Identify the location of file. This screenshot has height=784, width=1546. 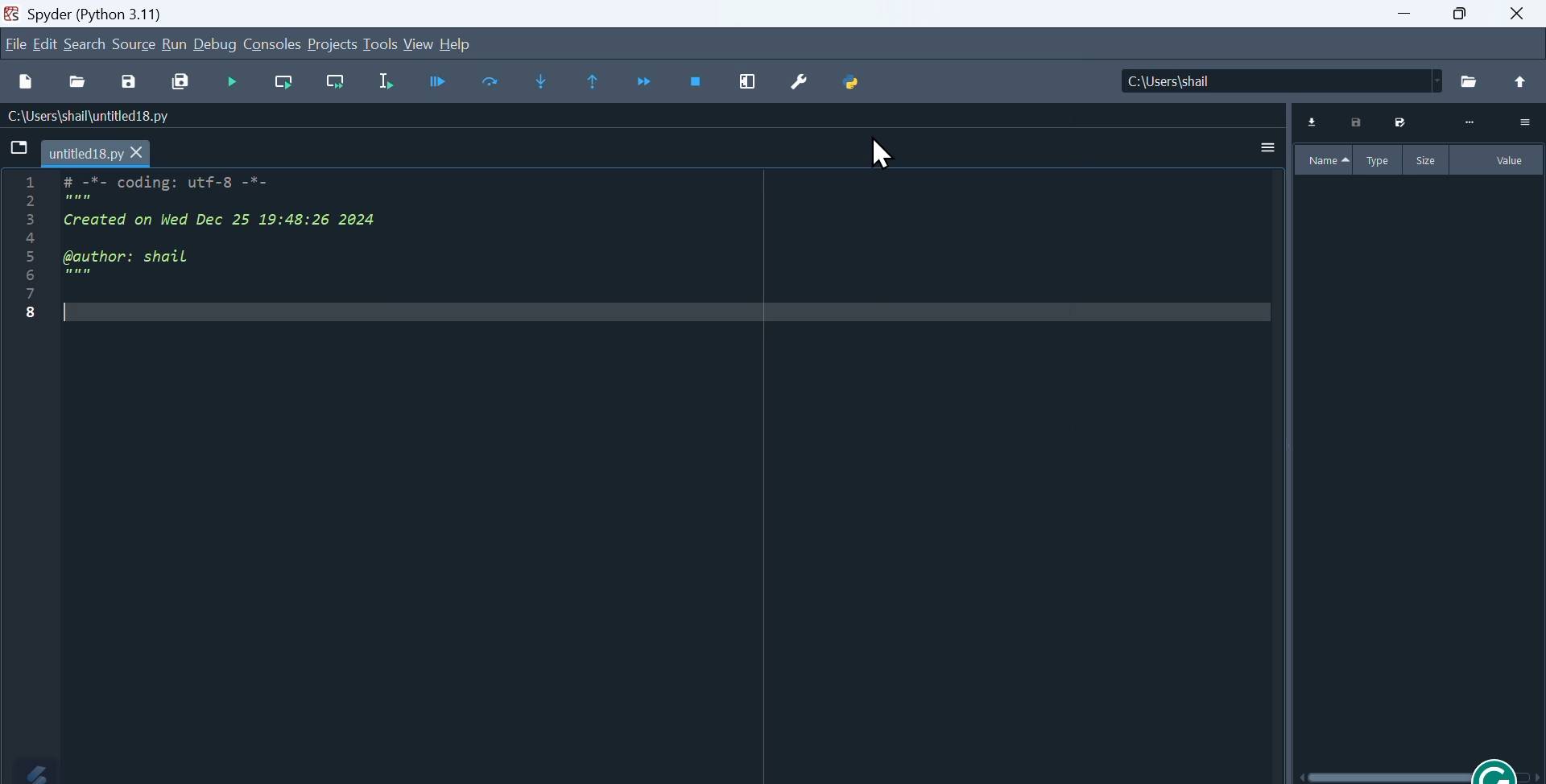
(1355, 122).